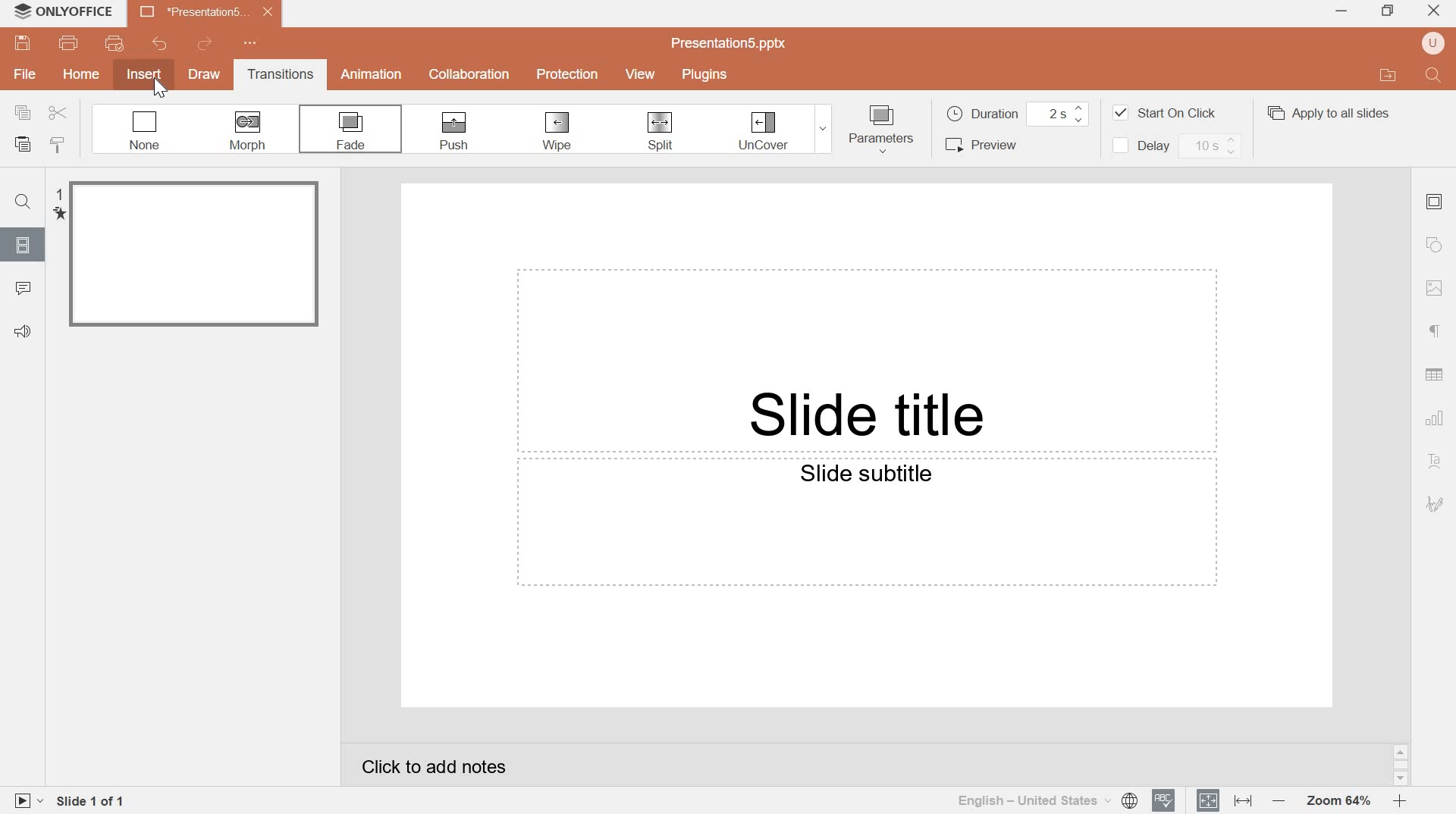 The image size is (1456, 814). I want to click on Plugins, so click(704, 73).